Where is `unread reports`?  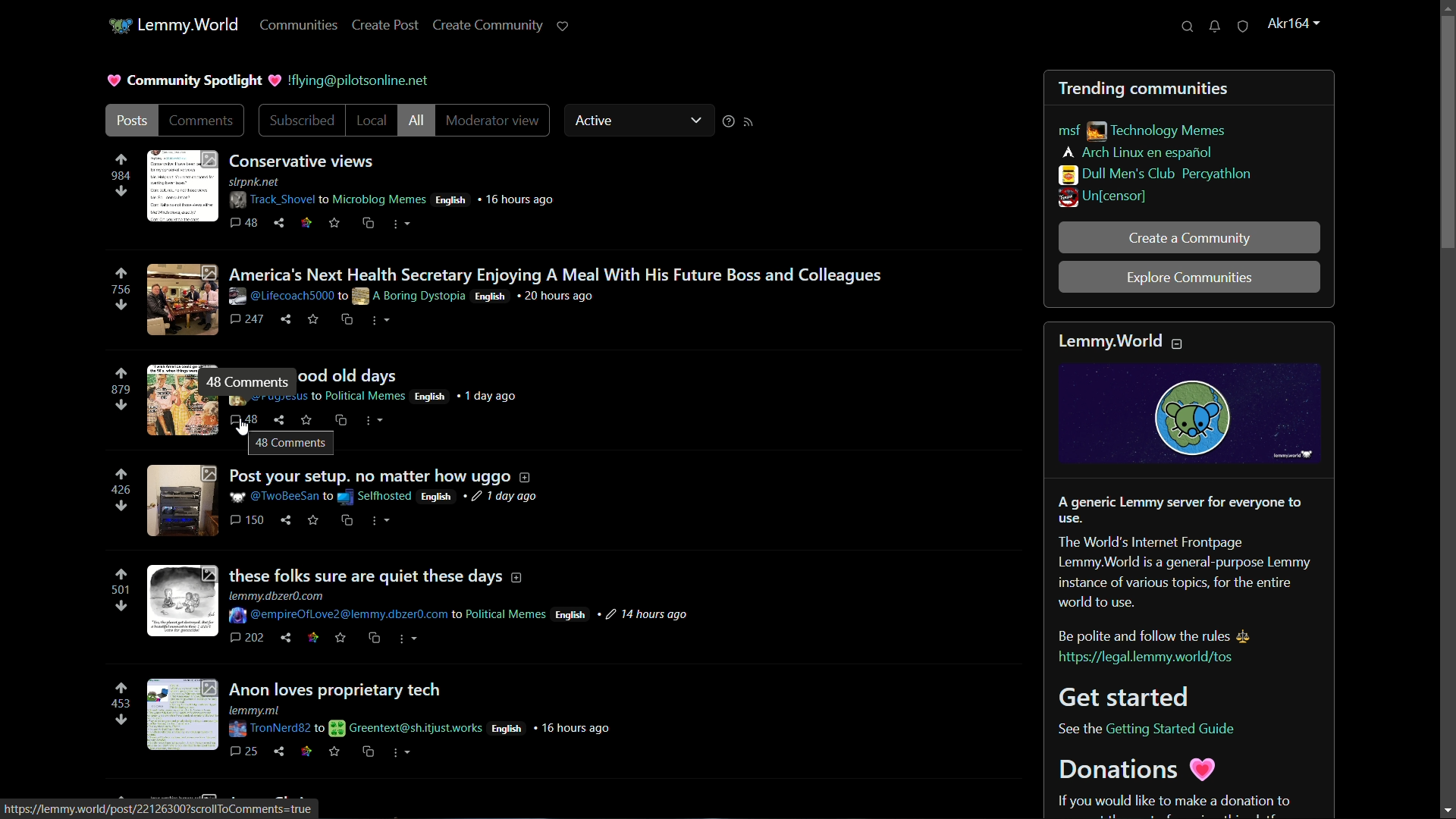 unread reports is located at coordinates (1241, 27).